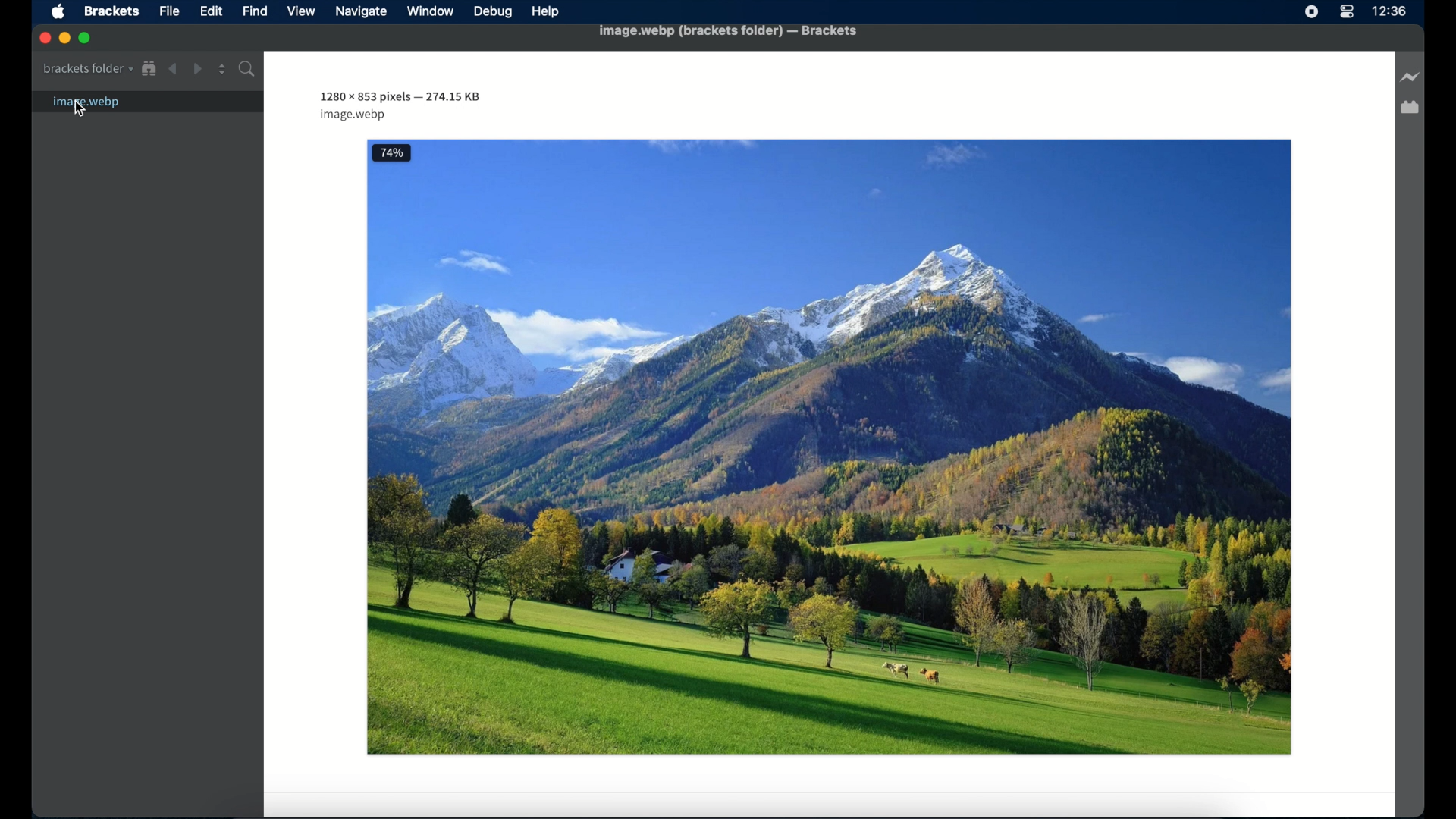 The height and width of the screenshot is (819, 1456). I want to click on Find, so click(255, 11).